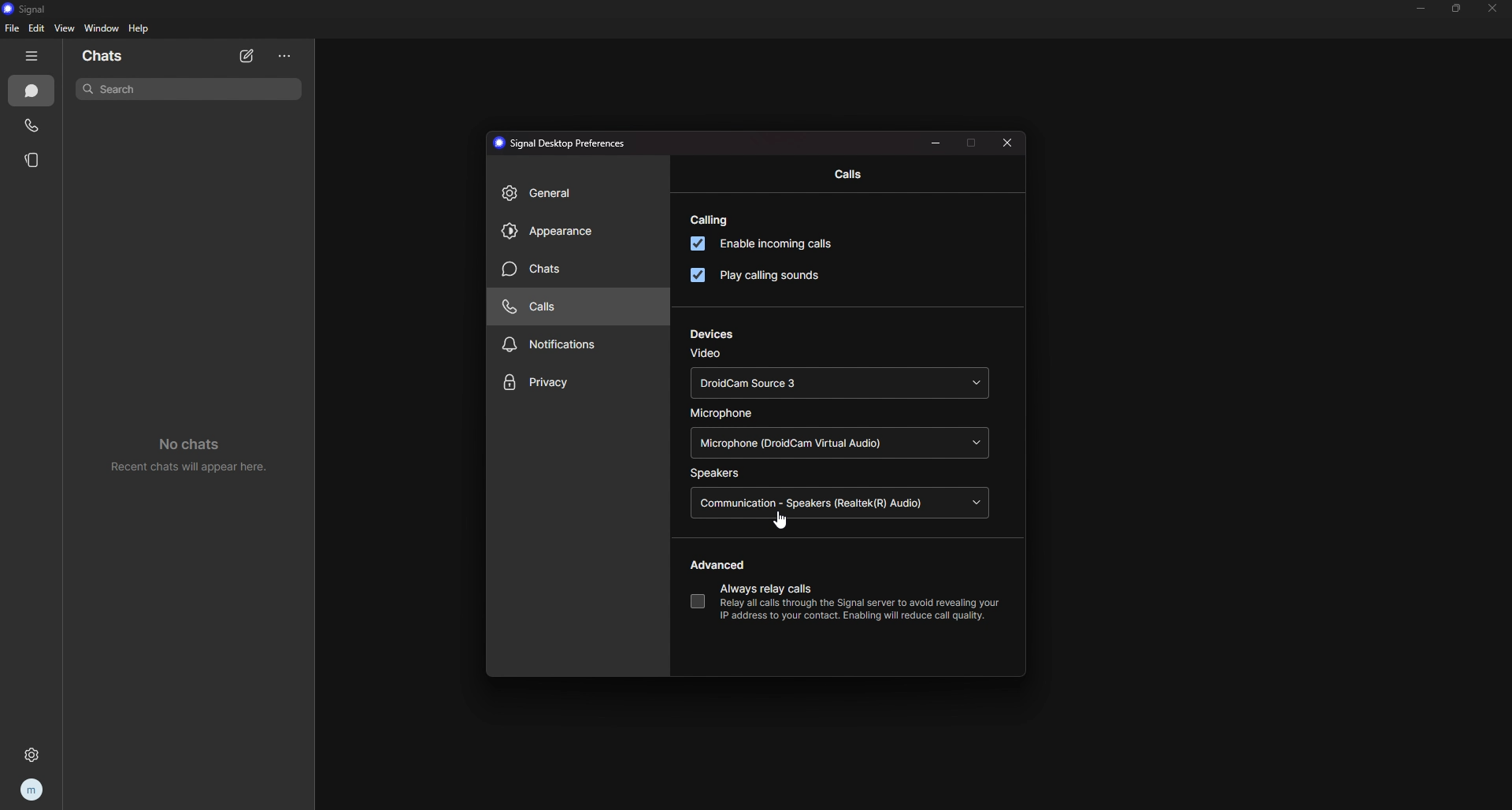  What do you see at coordinates (1457, 9) in the screenshot?
I see `resize` at bounding box center [1457, 9].